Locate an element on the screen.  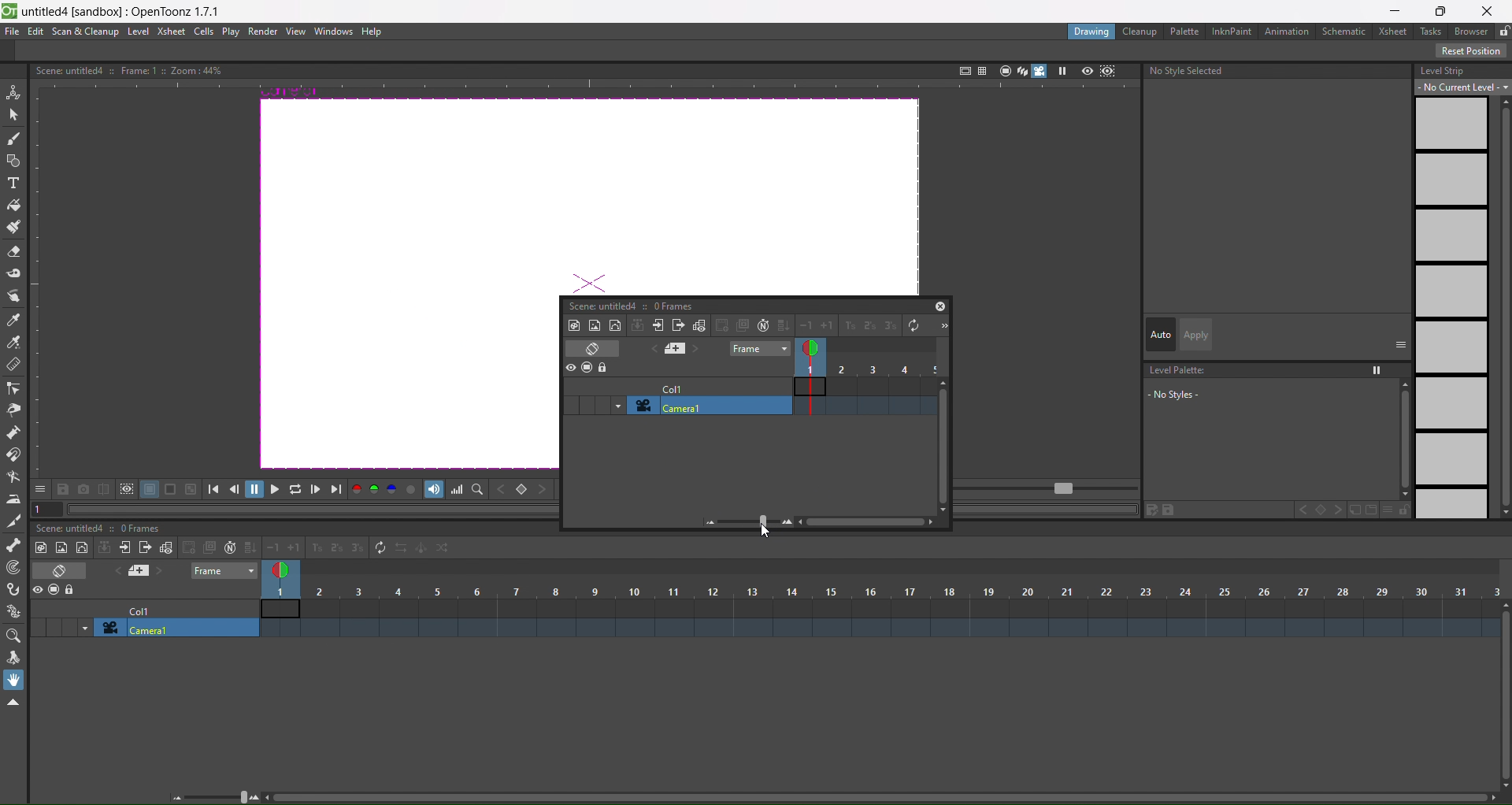
view is located at coordinates (295, 32).